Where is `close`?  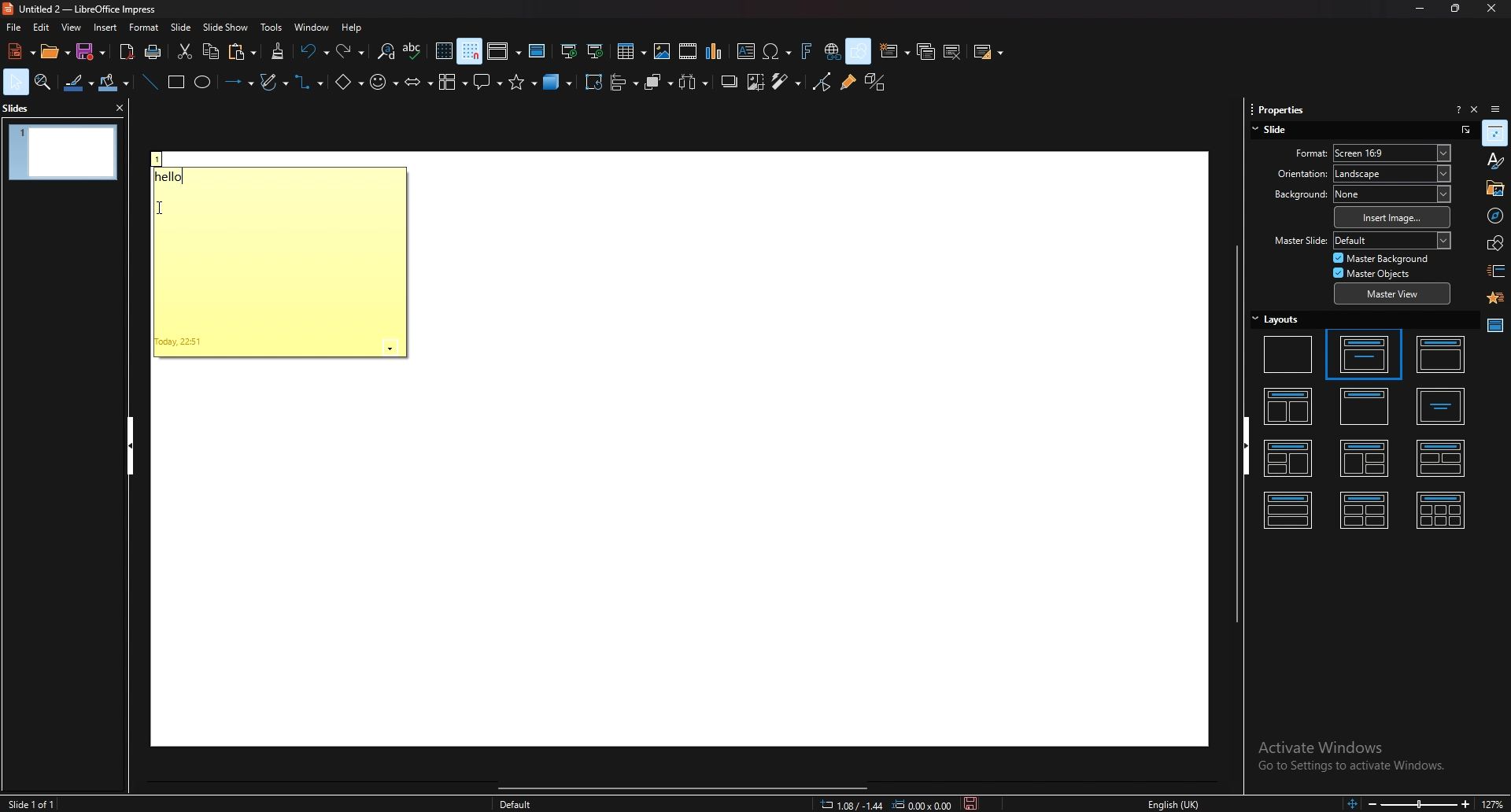 close is located at coordinates (117, 107).